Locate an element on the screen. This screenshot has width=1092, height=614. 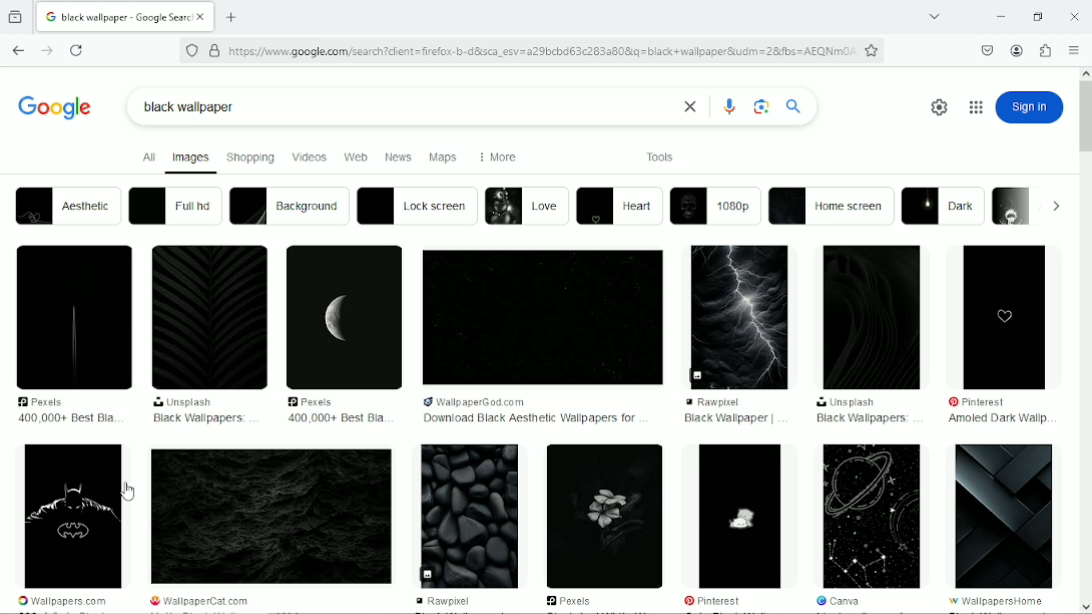
more is located at coordinates (495, 157).